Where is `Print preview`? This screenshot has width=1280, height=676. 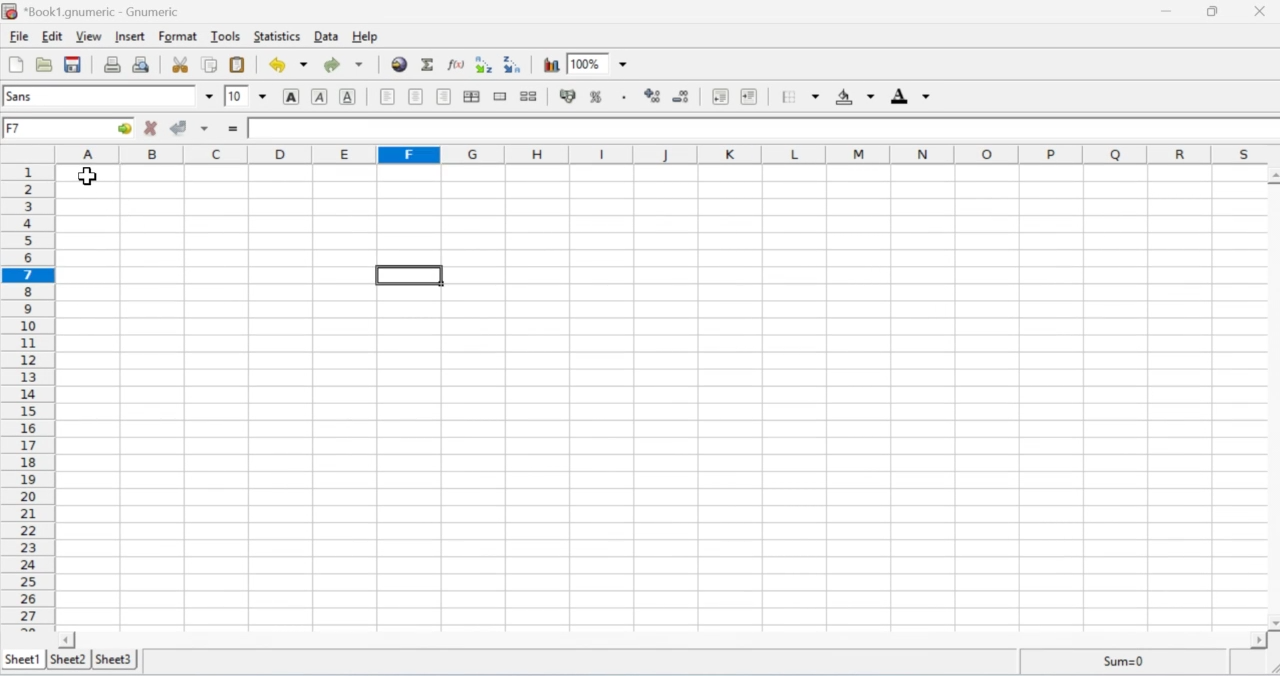 Print preview is located at coordinates (142, 65).